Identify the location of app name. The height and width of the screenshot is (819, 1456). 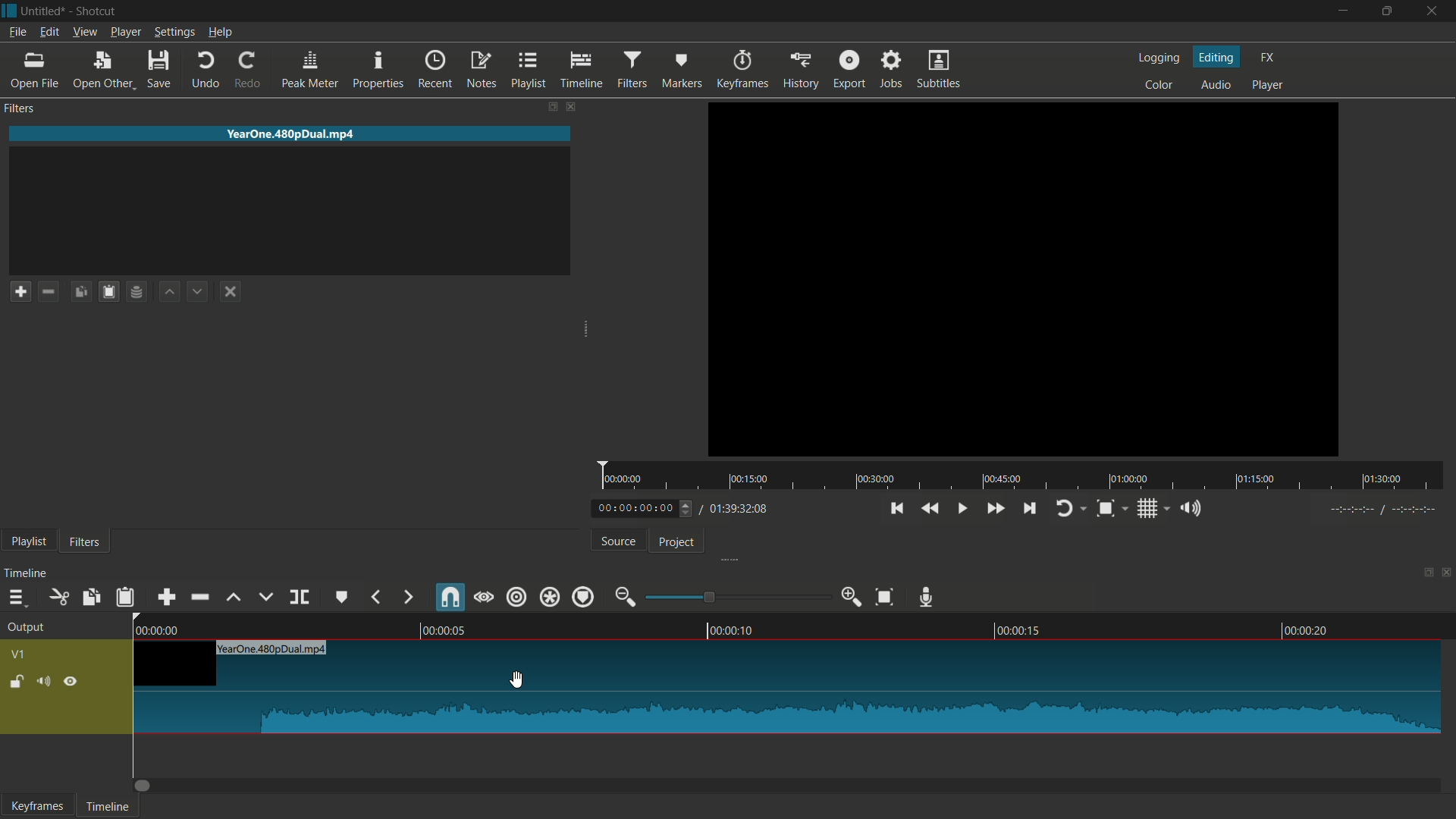
(99, 11).